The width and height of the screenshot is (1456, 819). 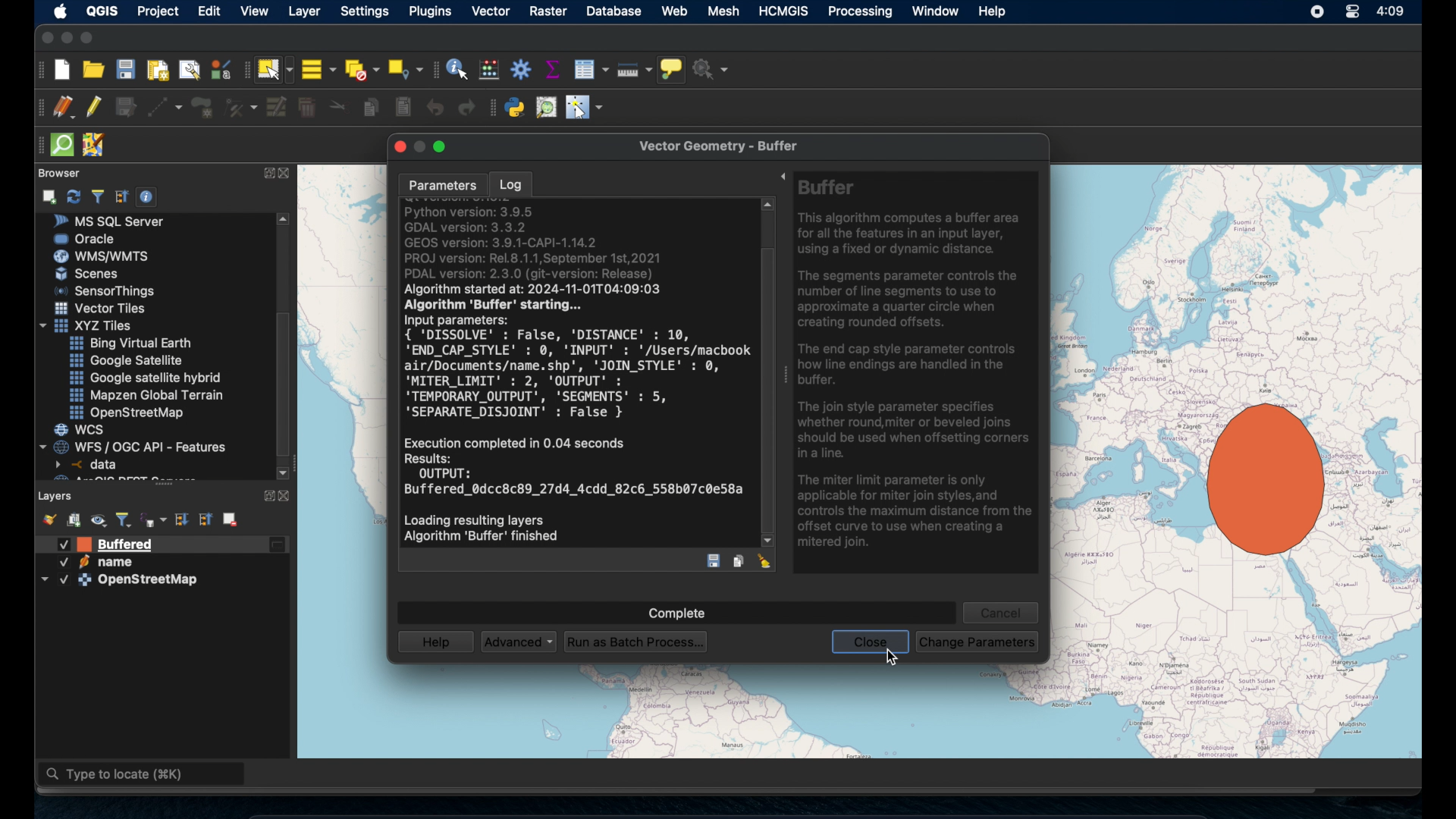 What do you see at coordinates (435, 108) in the screenshot?
I see `undo` at bounding box center [435, 108].